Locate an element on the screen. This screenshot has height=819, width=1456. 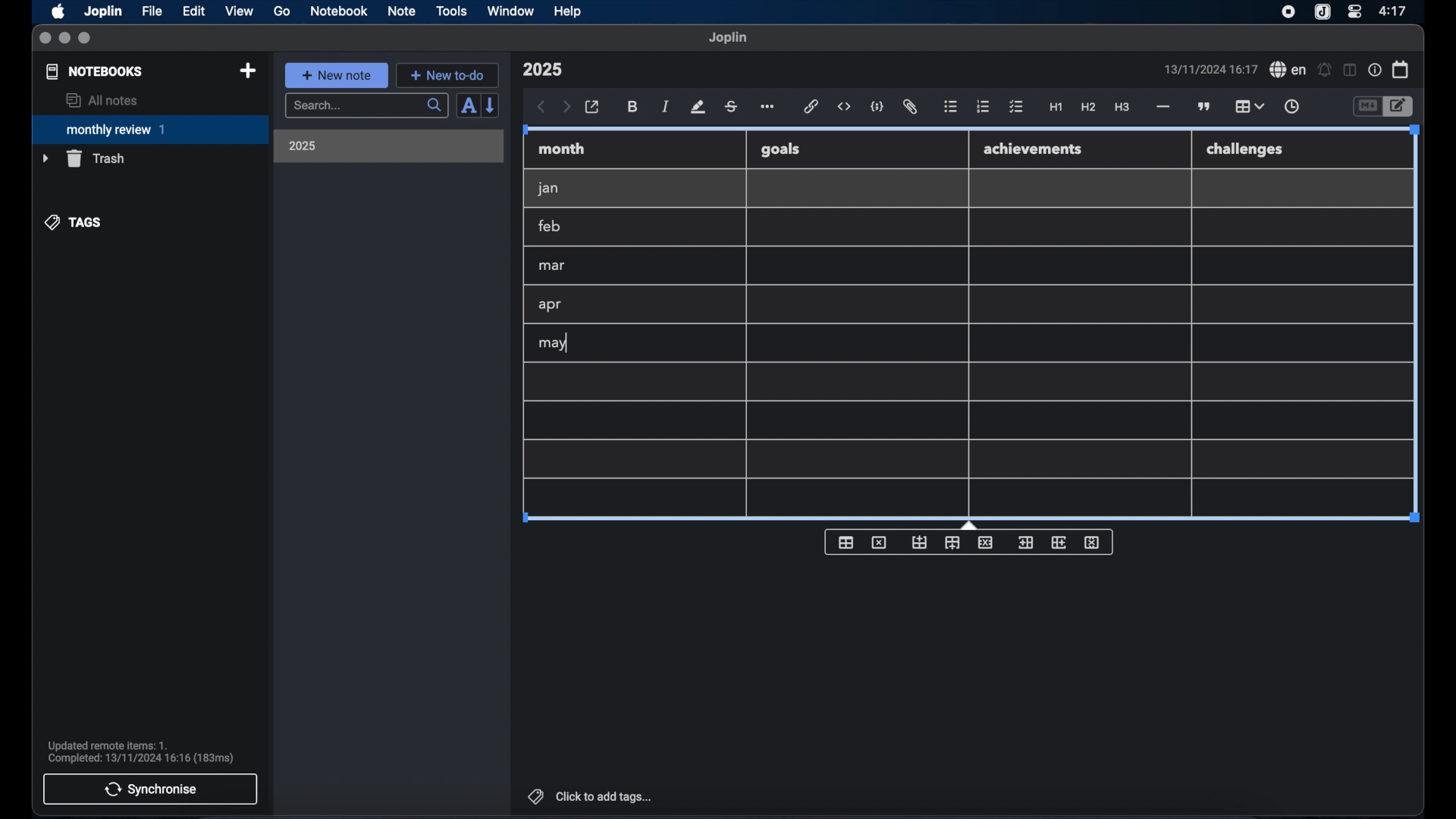
tags is located at coordinates (74, 222).